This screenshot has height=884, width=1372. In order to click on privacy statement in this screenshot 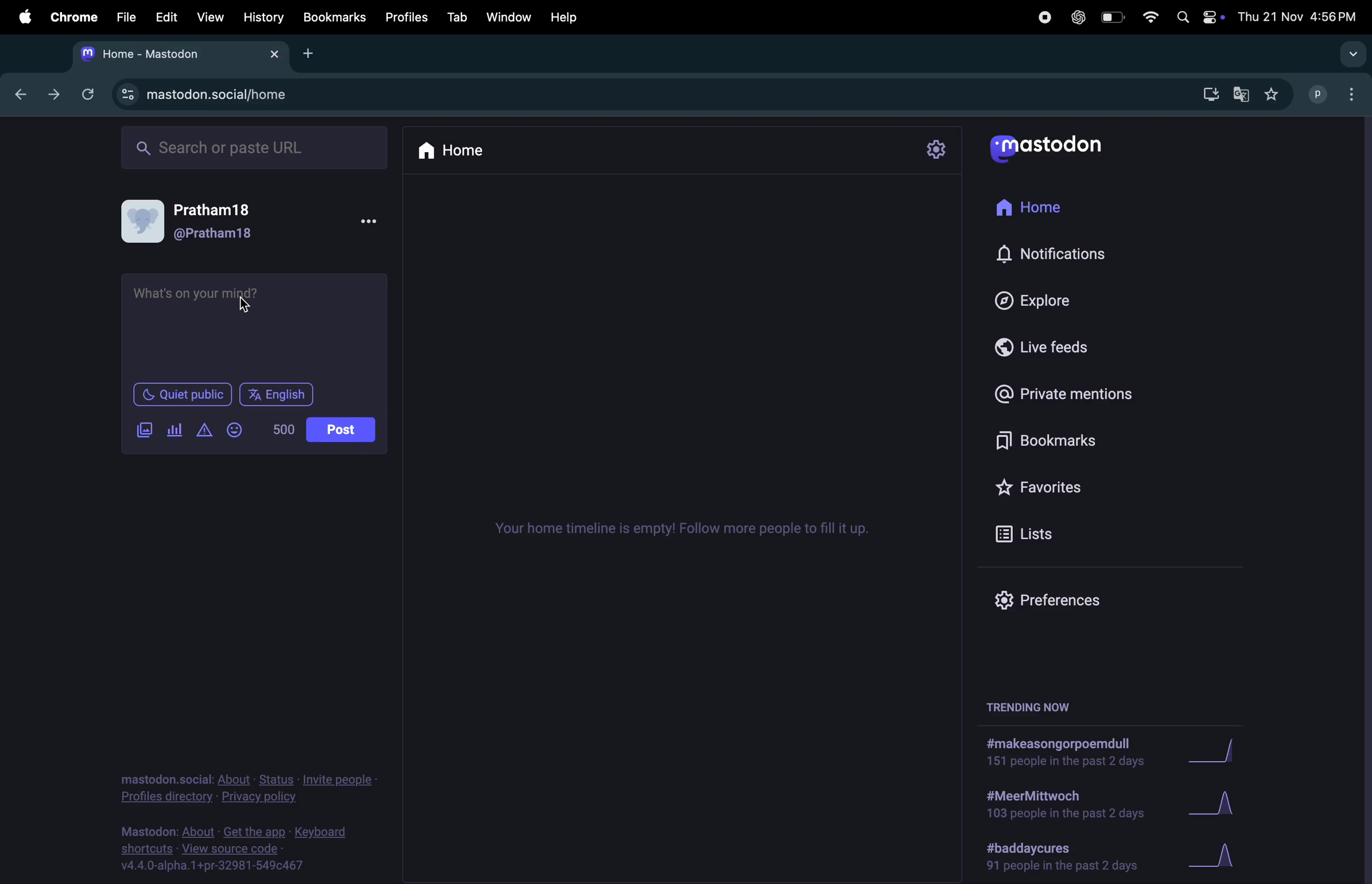, I will do `click(248, 786)`.